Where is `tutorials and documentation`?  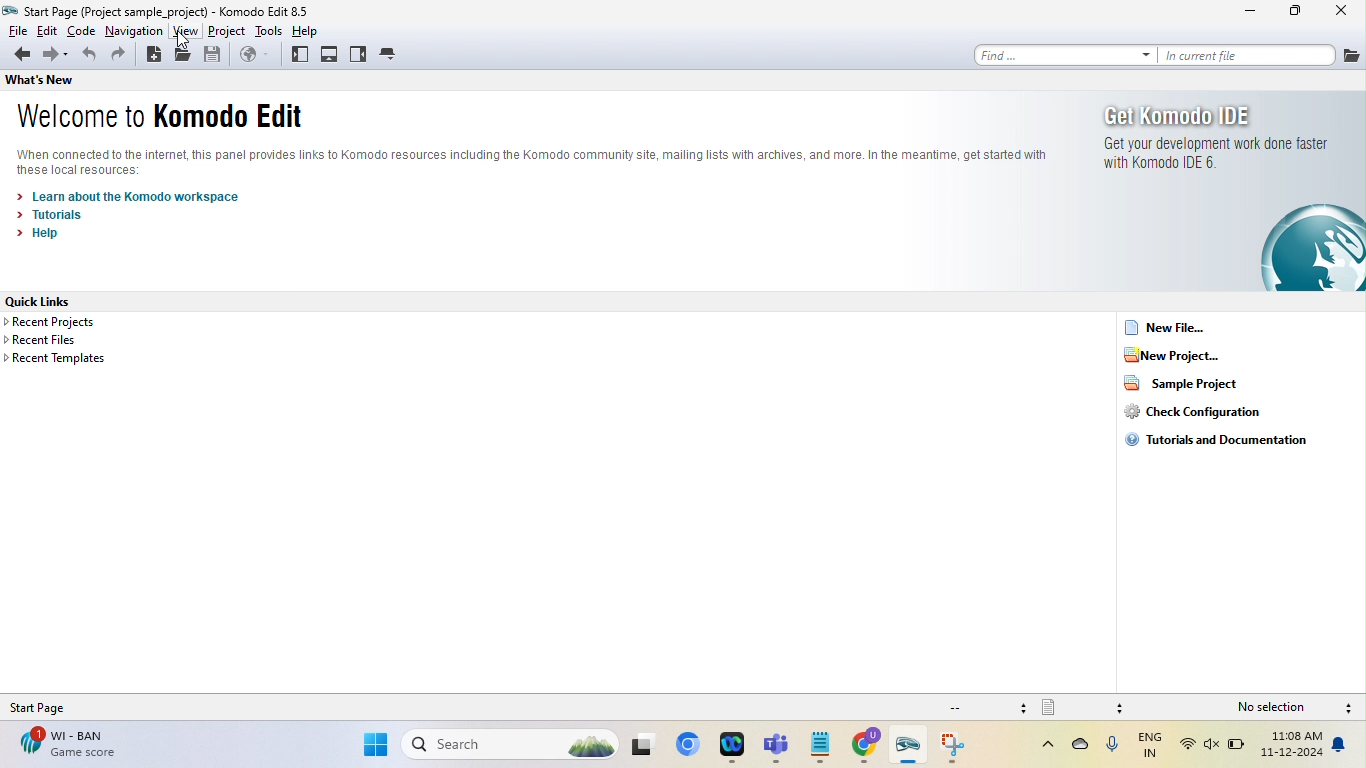 tutorials and documentation is located at coordinates (1215, 441).